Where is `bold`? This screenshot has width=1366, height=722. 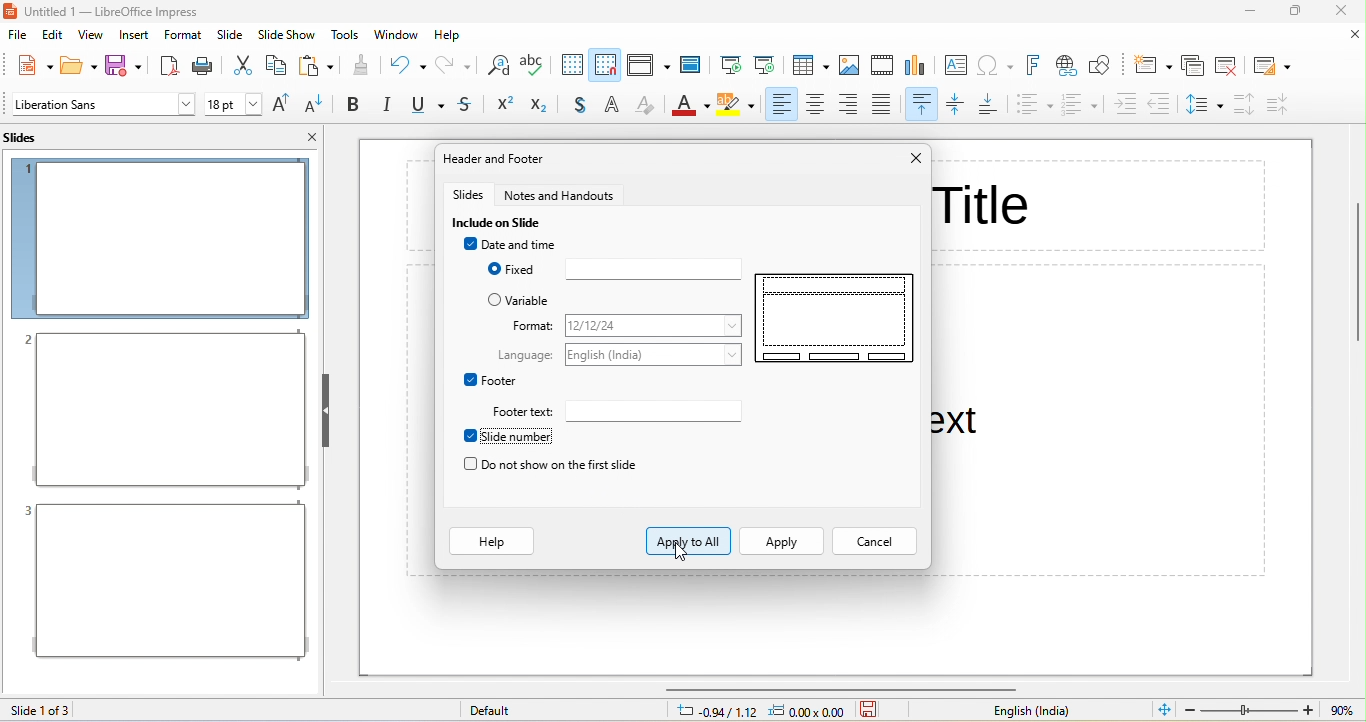
bold is located at coordinates (353, 105).